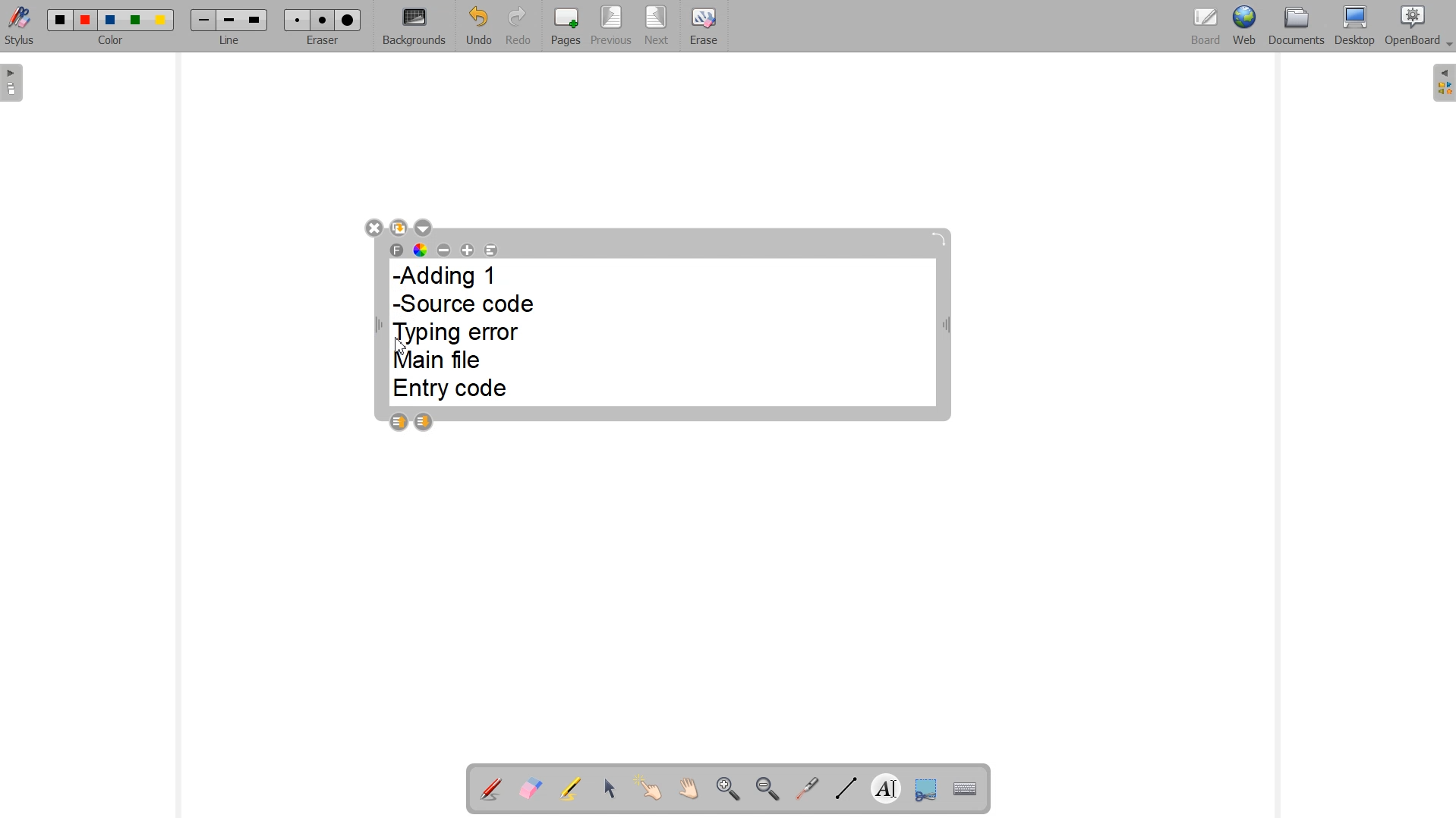  I want to click on Redo, so click(516, 25).